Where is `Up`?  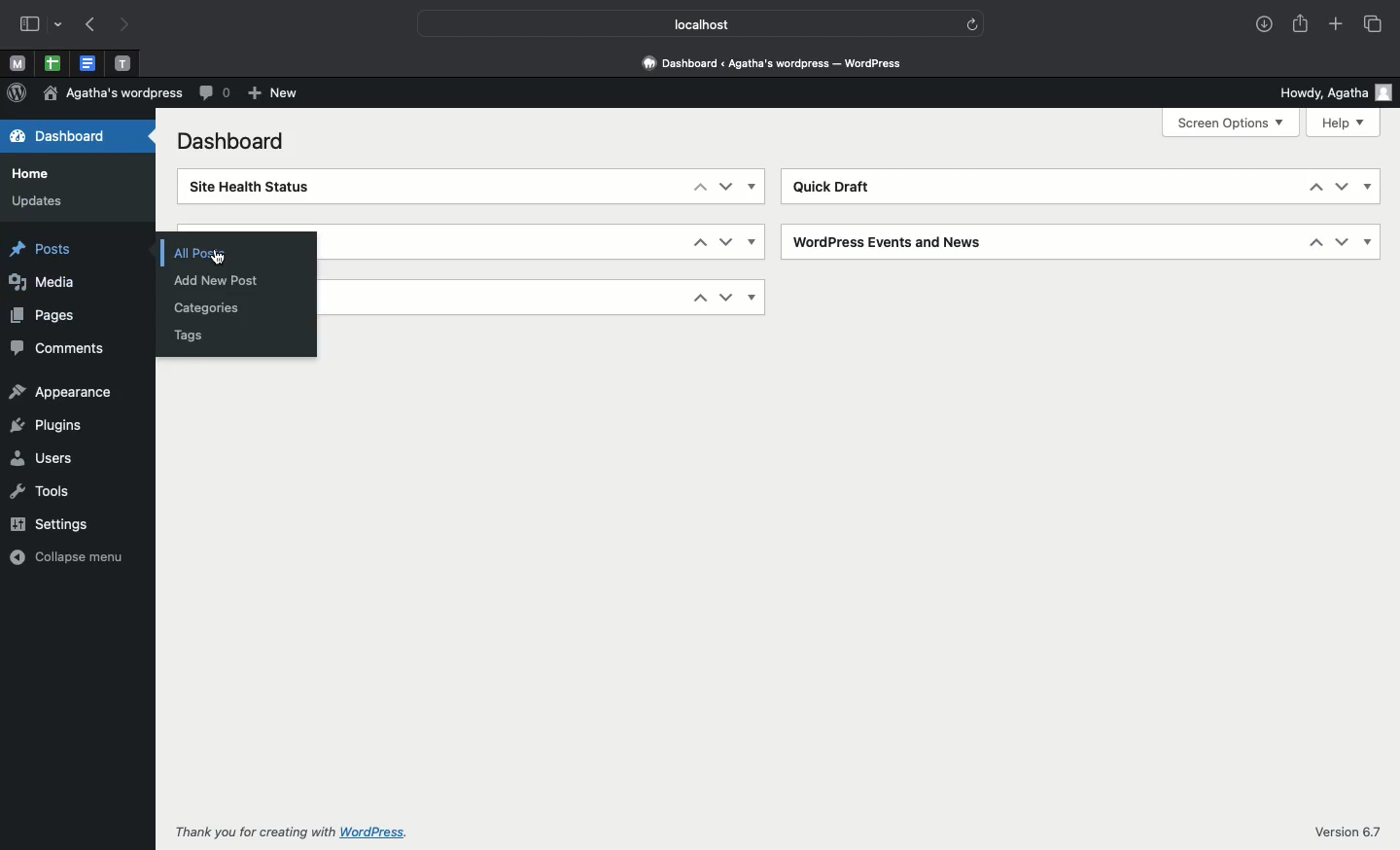 Up is located at coordinates (1312, 187).